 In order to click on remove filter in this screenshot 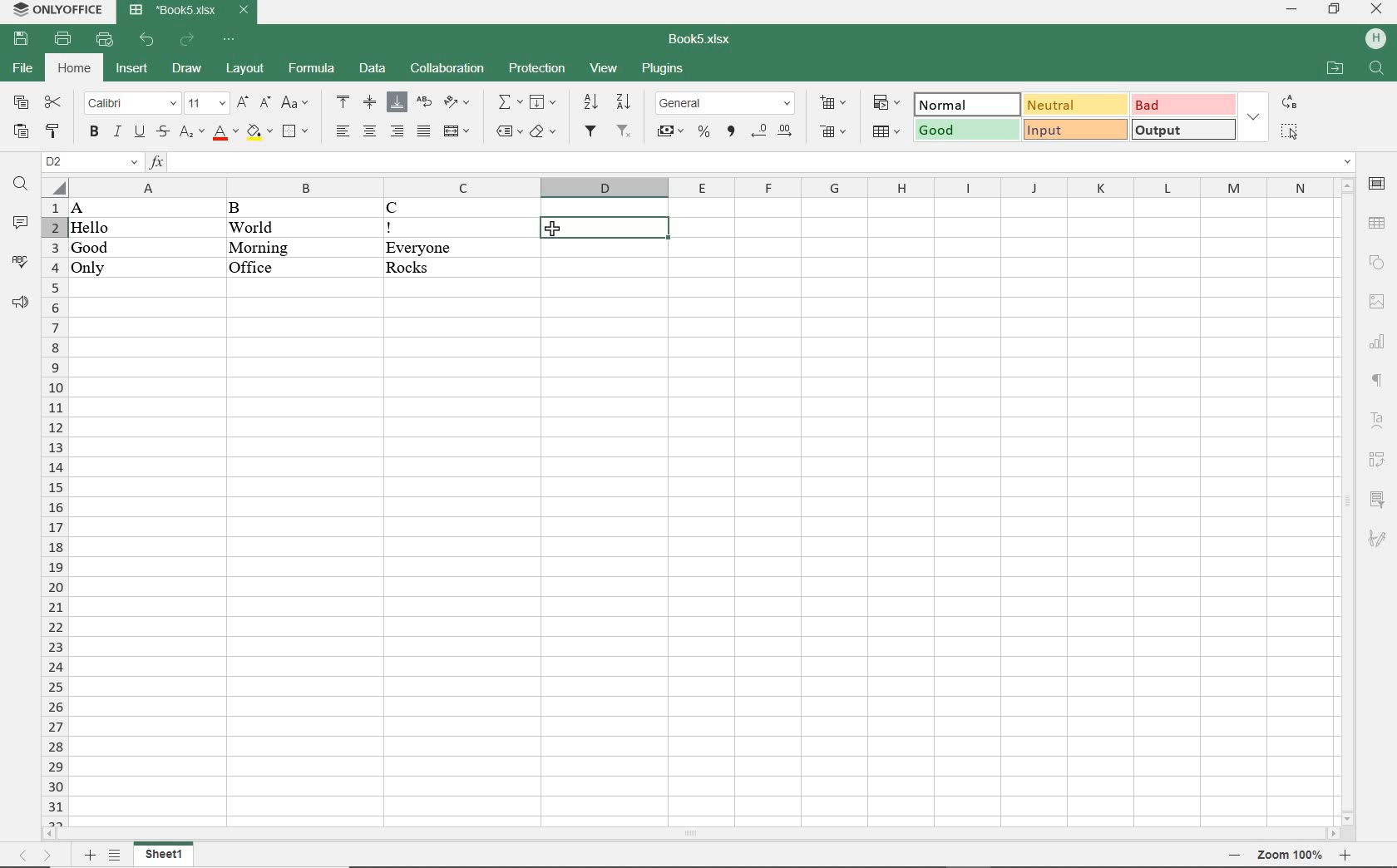, I will do `click(625, 134)`.